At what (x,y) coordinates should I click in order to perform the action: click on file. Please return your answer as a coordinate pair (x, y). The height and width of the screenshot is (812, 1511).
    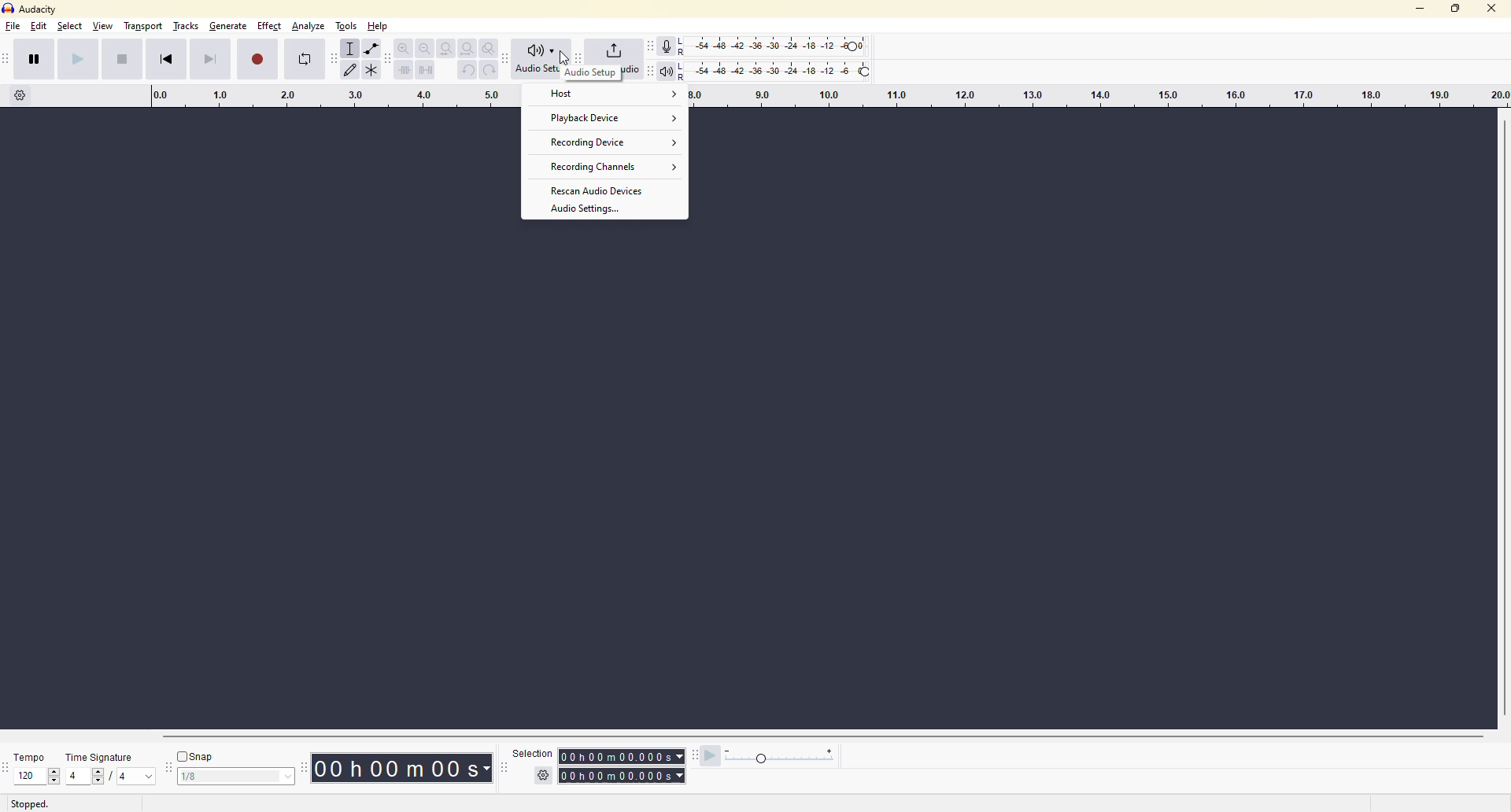
    Looking at the image, I should click on (14, 28).